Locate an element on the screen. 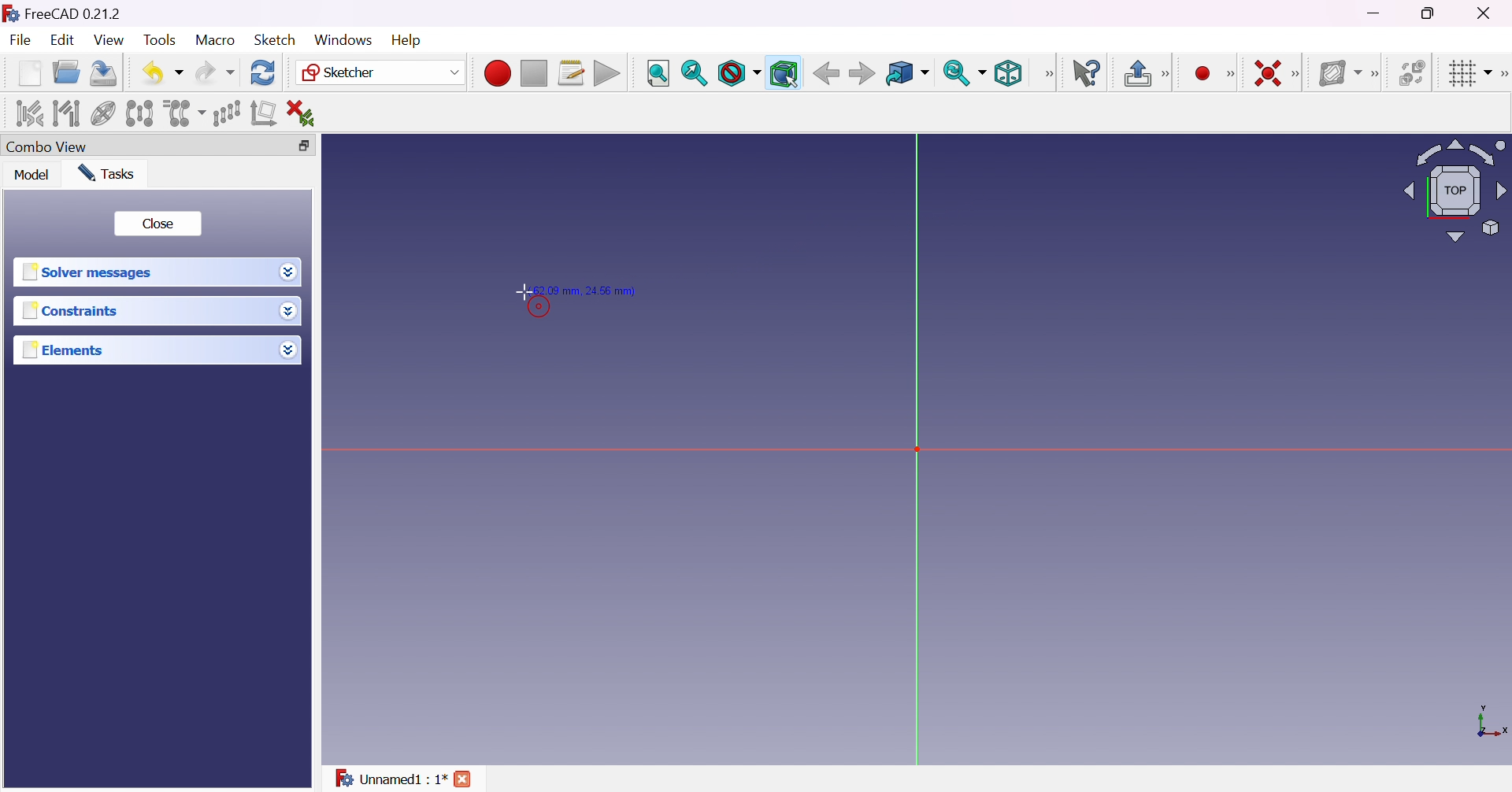 The width and height of the screenshot is (1512, 792). Restore down is located at coordinates (1430, 13).